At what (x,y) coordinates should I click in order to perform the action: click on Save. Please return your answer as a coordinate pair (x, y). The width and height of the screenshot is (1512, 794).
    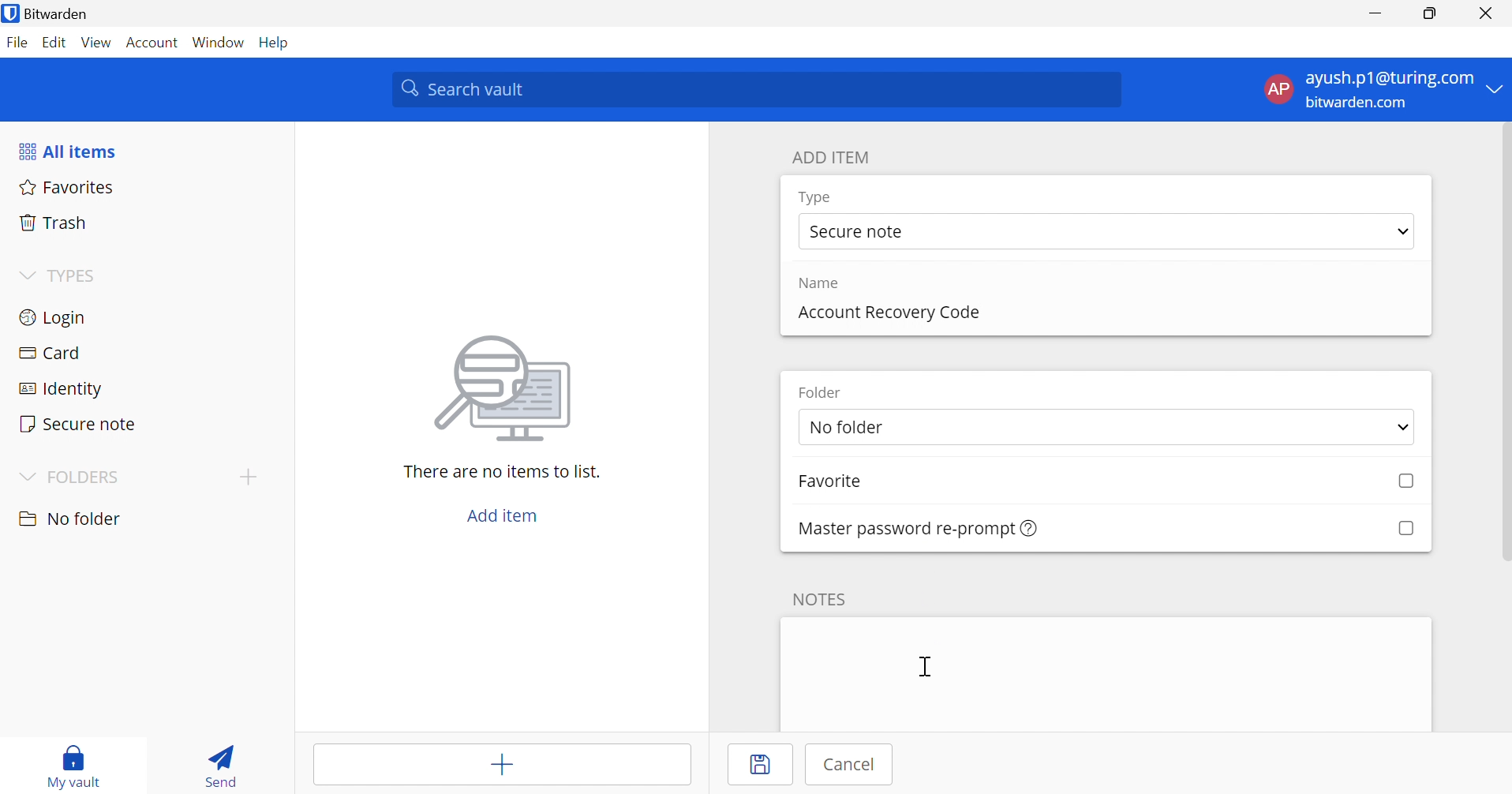
    Looking at the image, I should click on (765, 766).